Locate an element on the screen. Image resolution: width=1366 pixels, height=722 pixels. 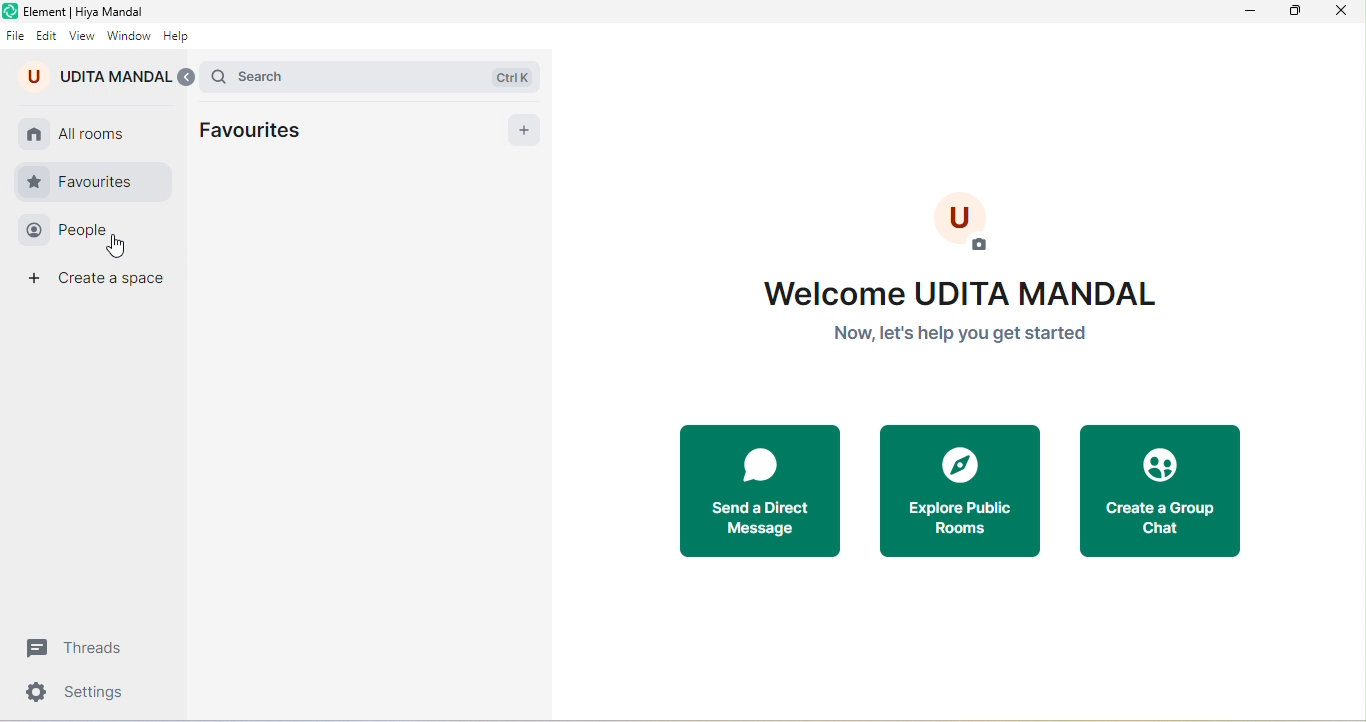
User image is located at coordinates (962, 219).